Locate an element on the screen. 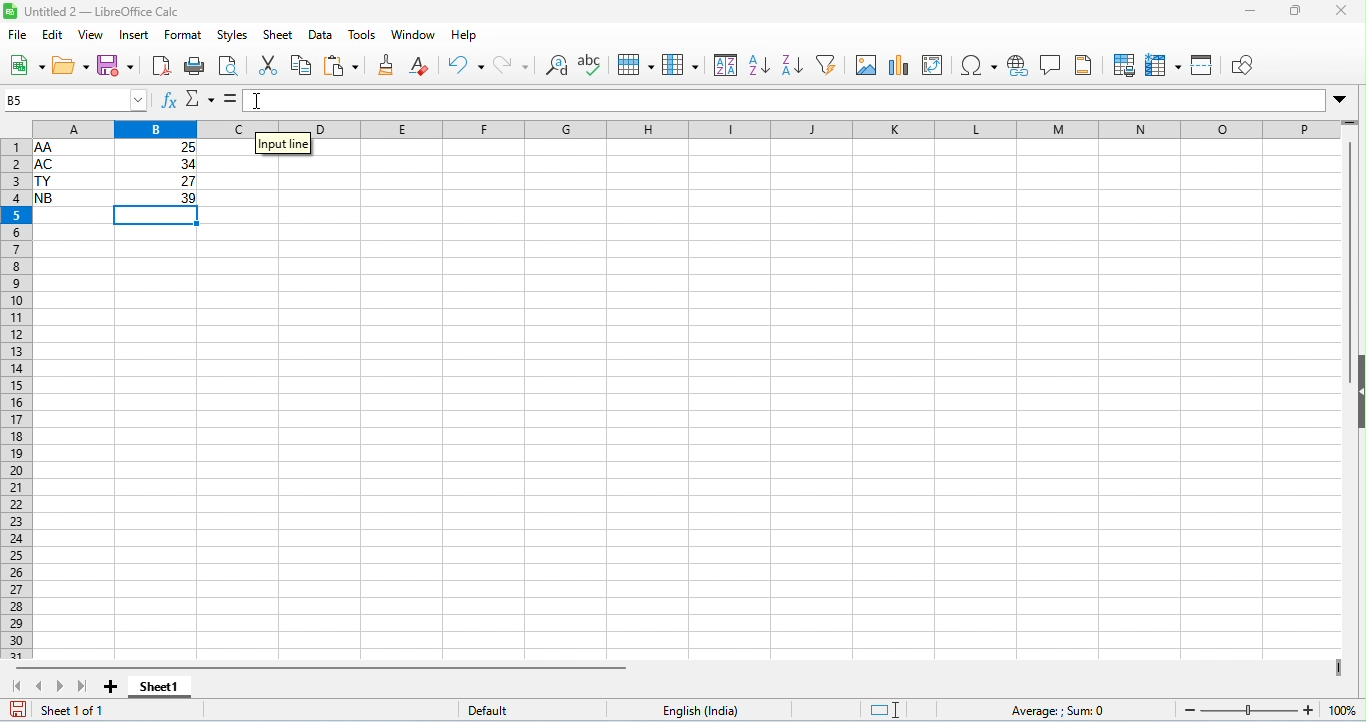 This screenshot has height=722, width=1366. edit is located at coordinates (54, 35).